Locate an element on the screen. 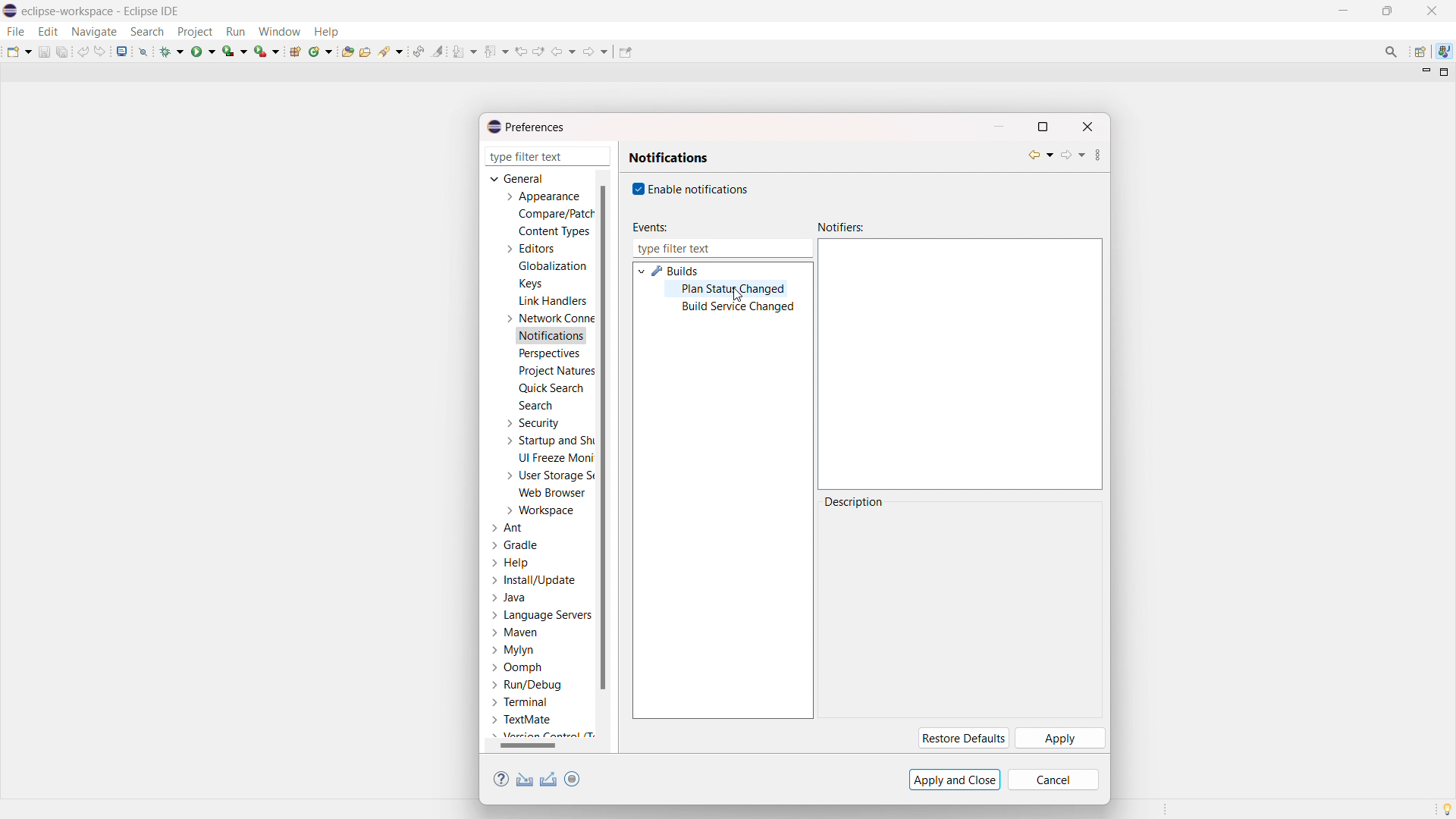 The width and height of the screenshot is (1456, 819). checkbox is located at coordinates (636, 189).